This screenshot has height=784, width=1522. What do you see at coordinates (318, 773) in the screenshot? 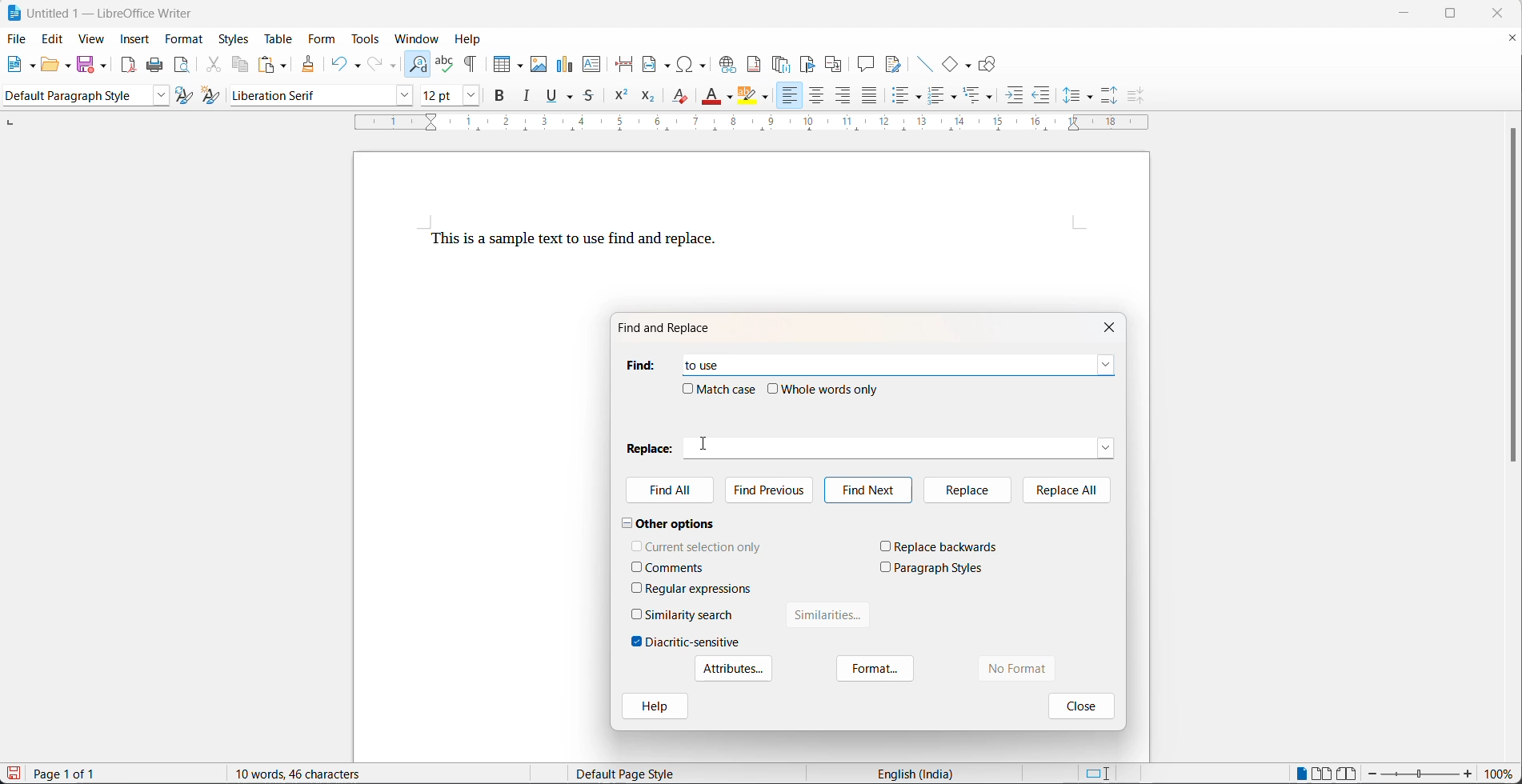
I see `10 words, 46 characters` at bounding box center [318, 773].